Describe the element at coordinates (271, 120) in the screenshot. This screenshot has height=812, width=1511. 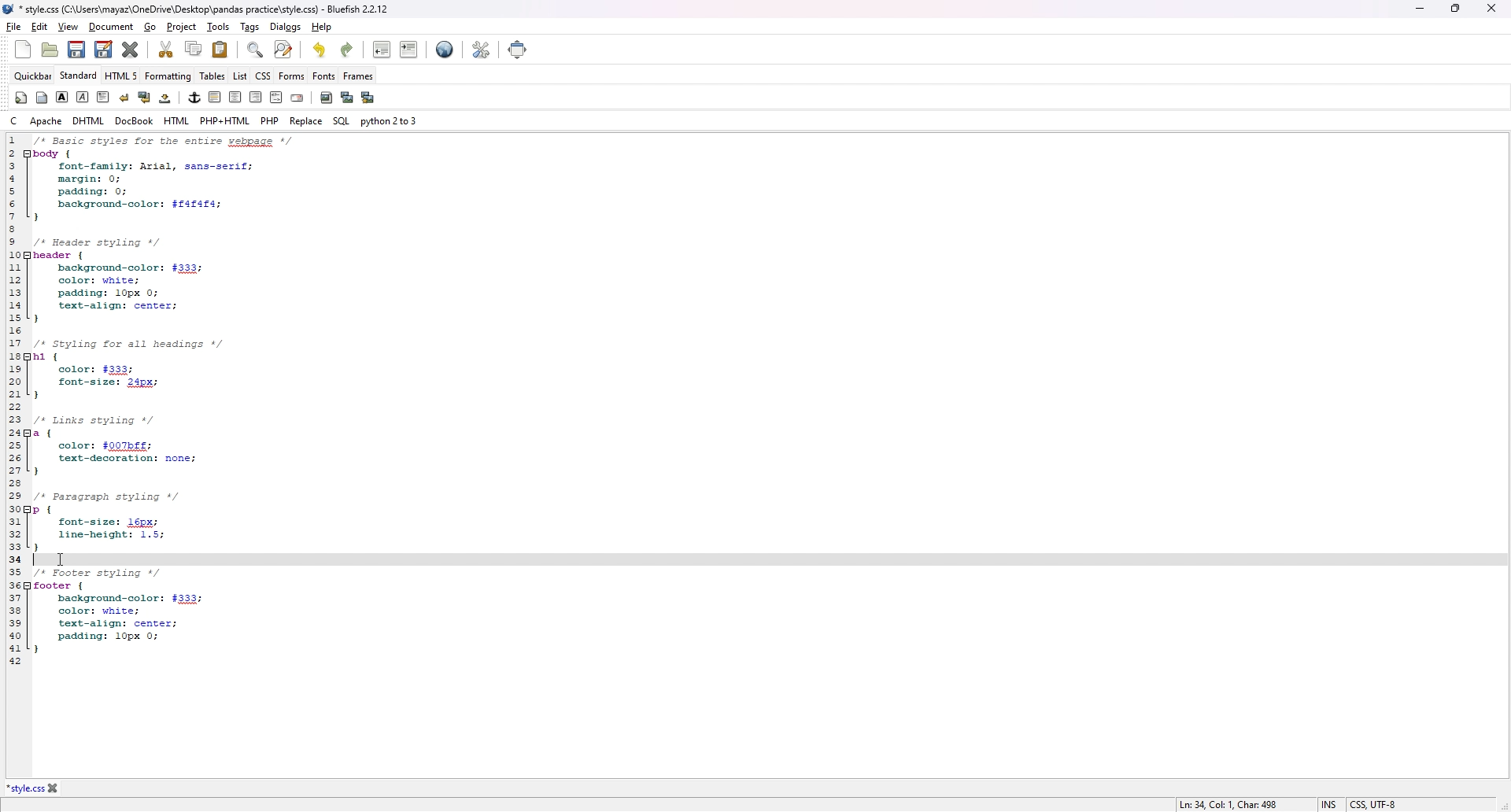
I see `php` at that location.